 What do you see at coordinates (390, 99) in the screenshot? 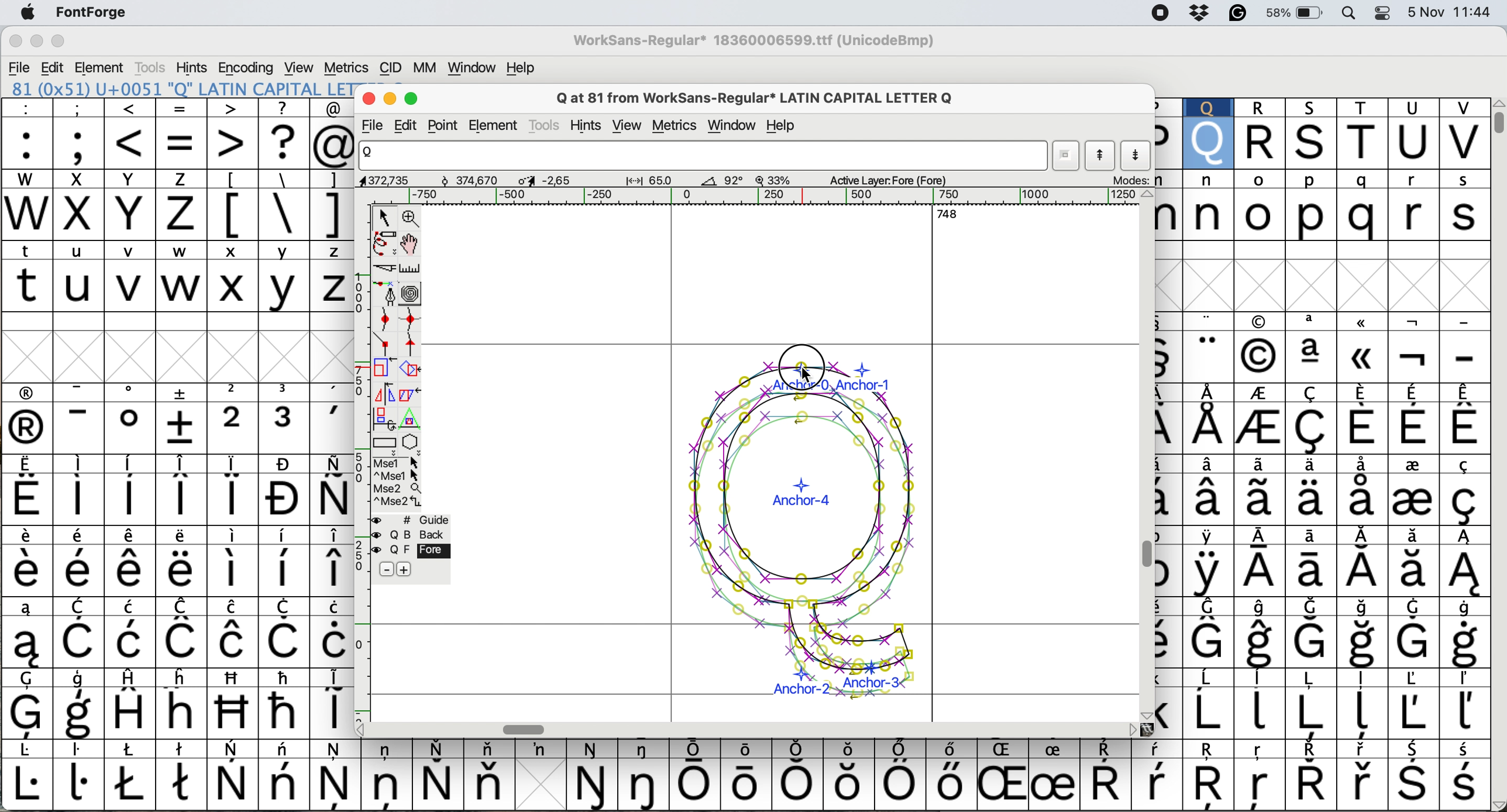
I see `minimise` at bounding box center [390, 99].